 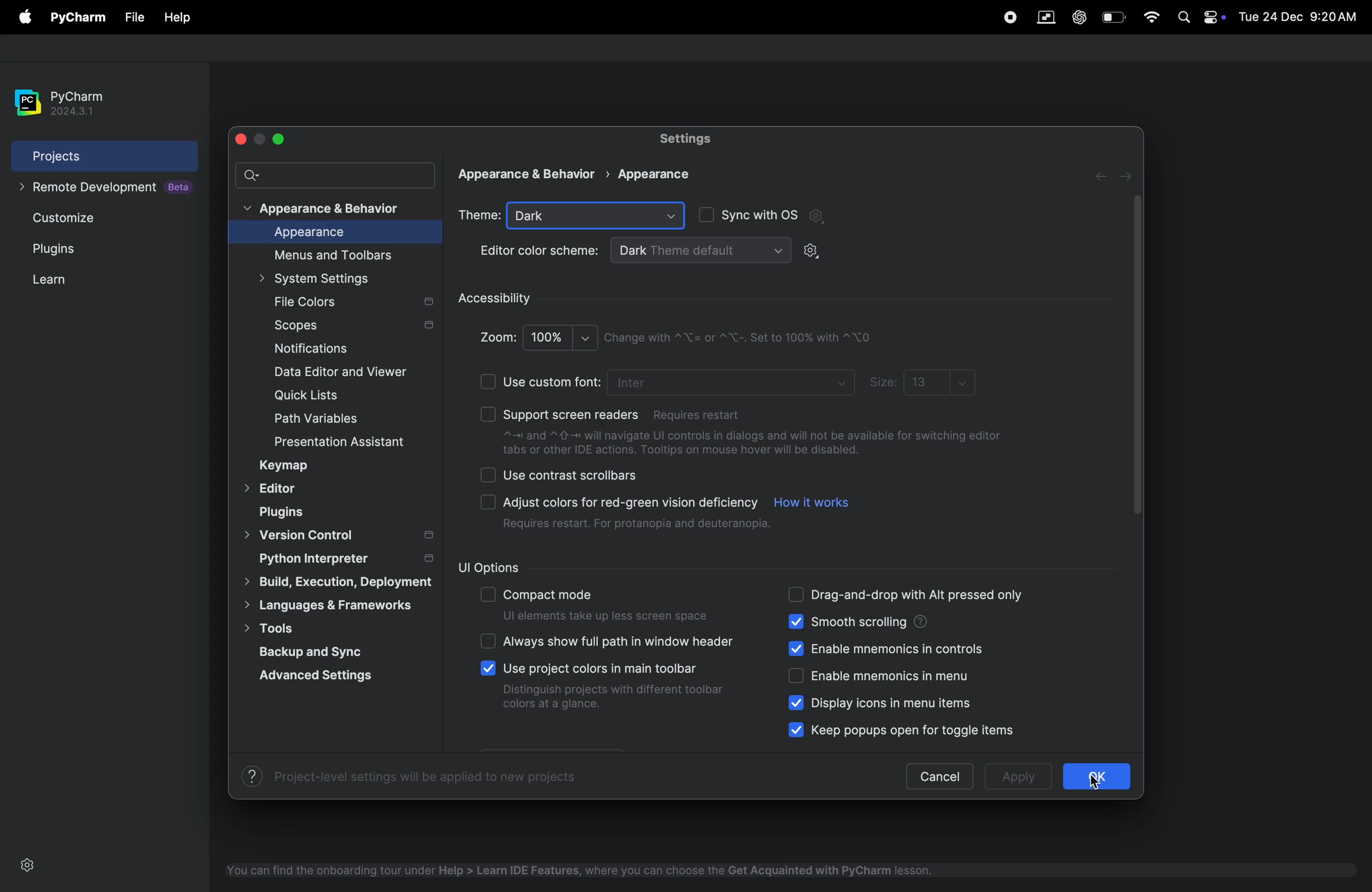 What do you see at coordinates (1114, 17) in the screenshot?
I see `battery` at bounding box center [1114, 17].